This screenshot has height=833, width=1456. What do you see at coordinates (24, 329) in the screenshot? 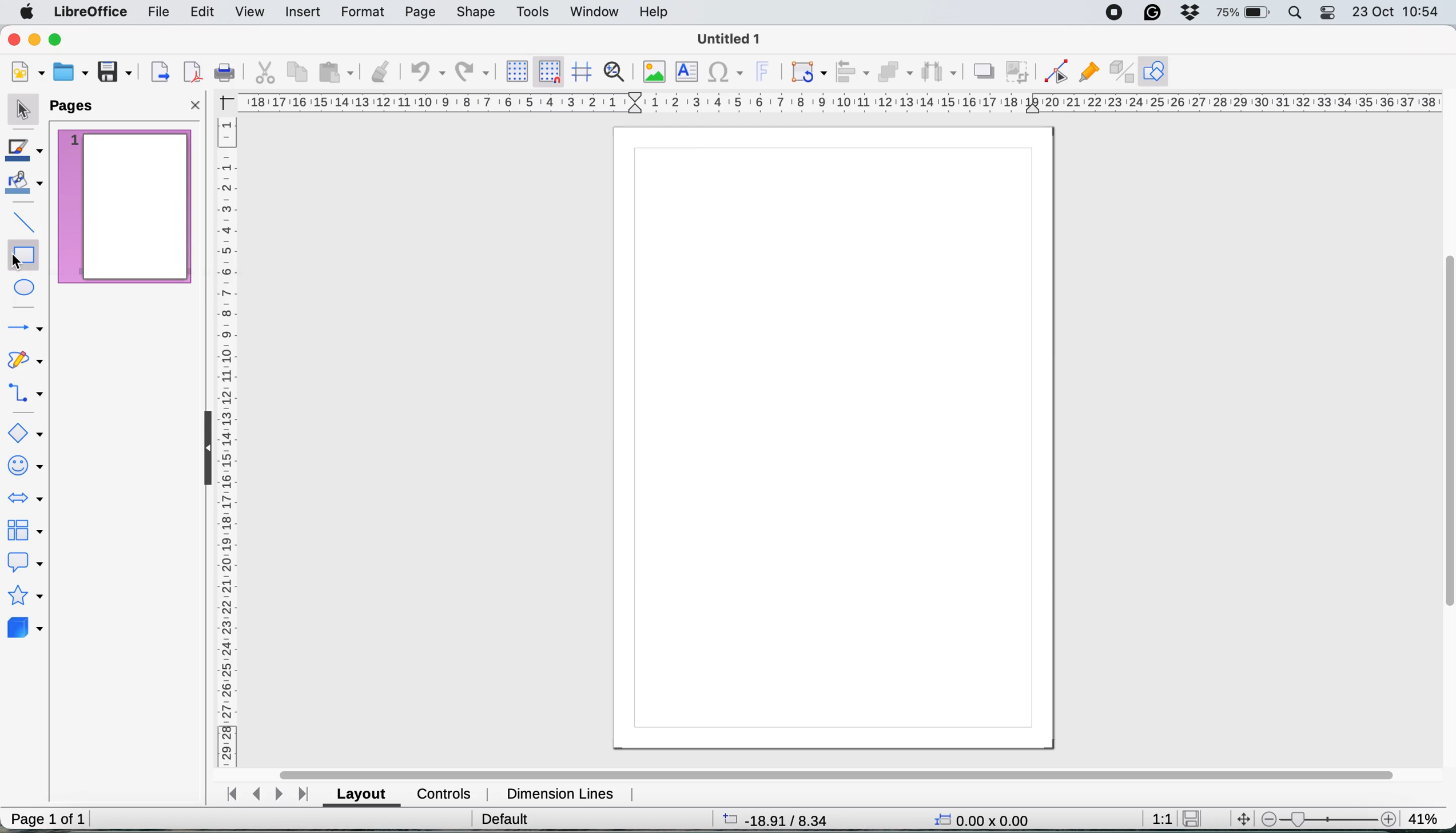
I see `lines and arrows` at bounding box center [24, 329].